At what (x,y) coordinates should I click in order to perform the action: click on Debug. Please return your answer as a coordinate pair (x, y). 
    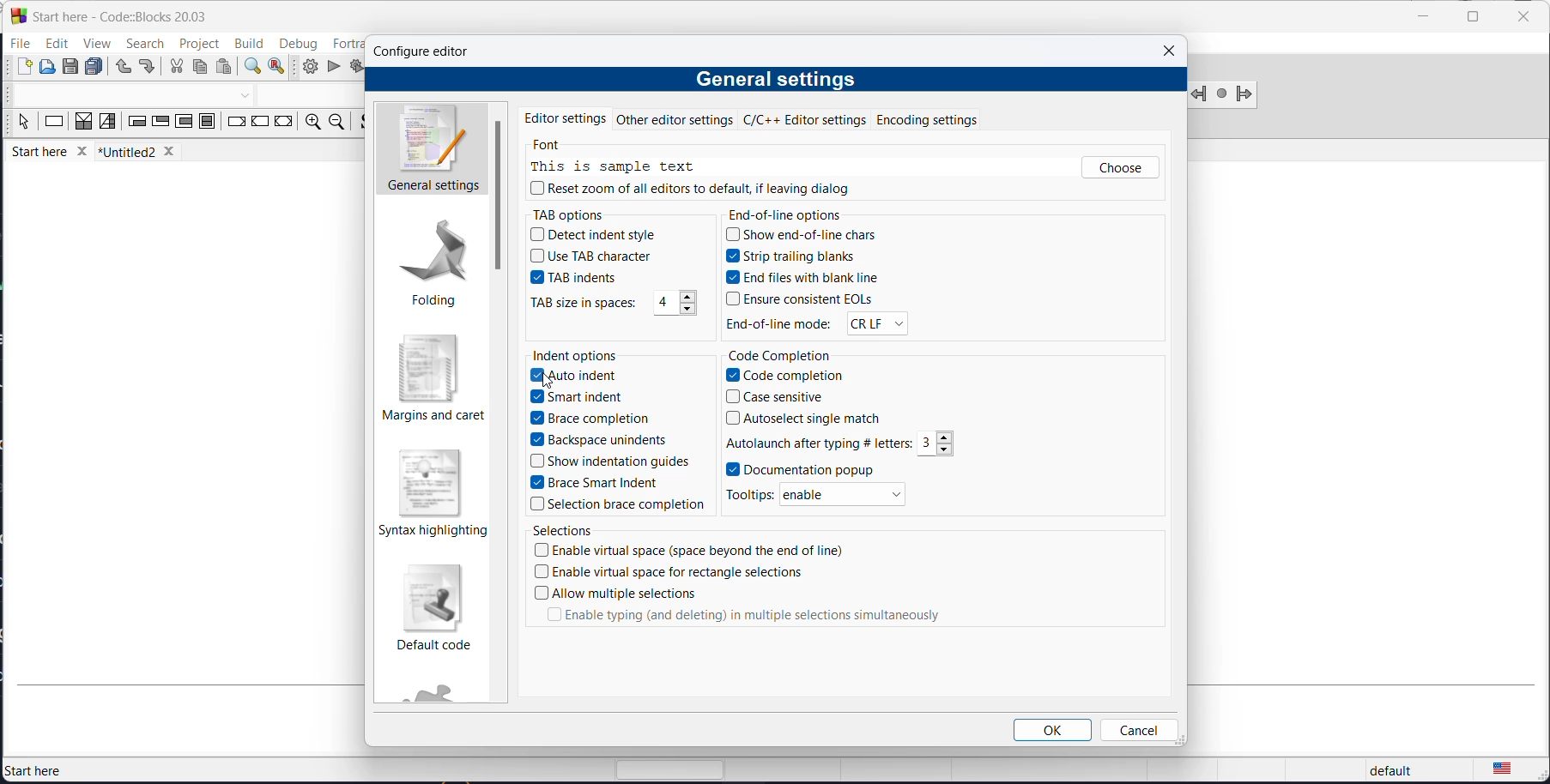
    Looking at the image, I should click on (298, 41).